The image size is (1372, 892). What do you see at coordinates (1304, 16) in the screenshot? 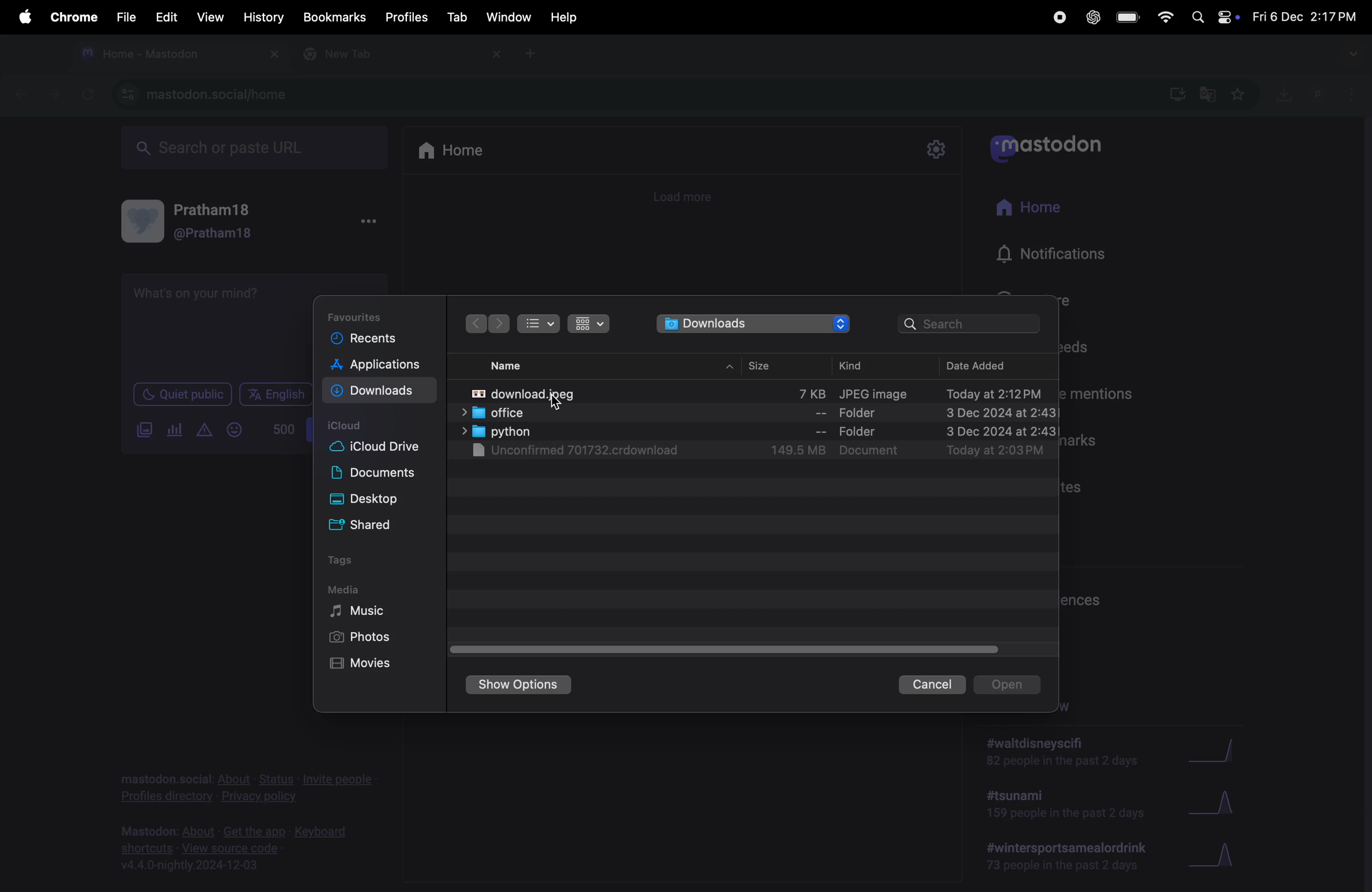
I see `date and time` at bounding box center [1304, 16].